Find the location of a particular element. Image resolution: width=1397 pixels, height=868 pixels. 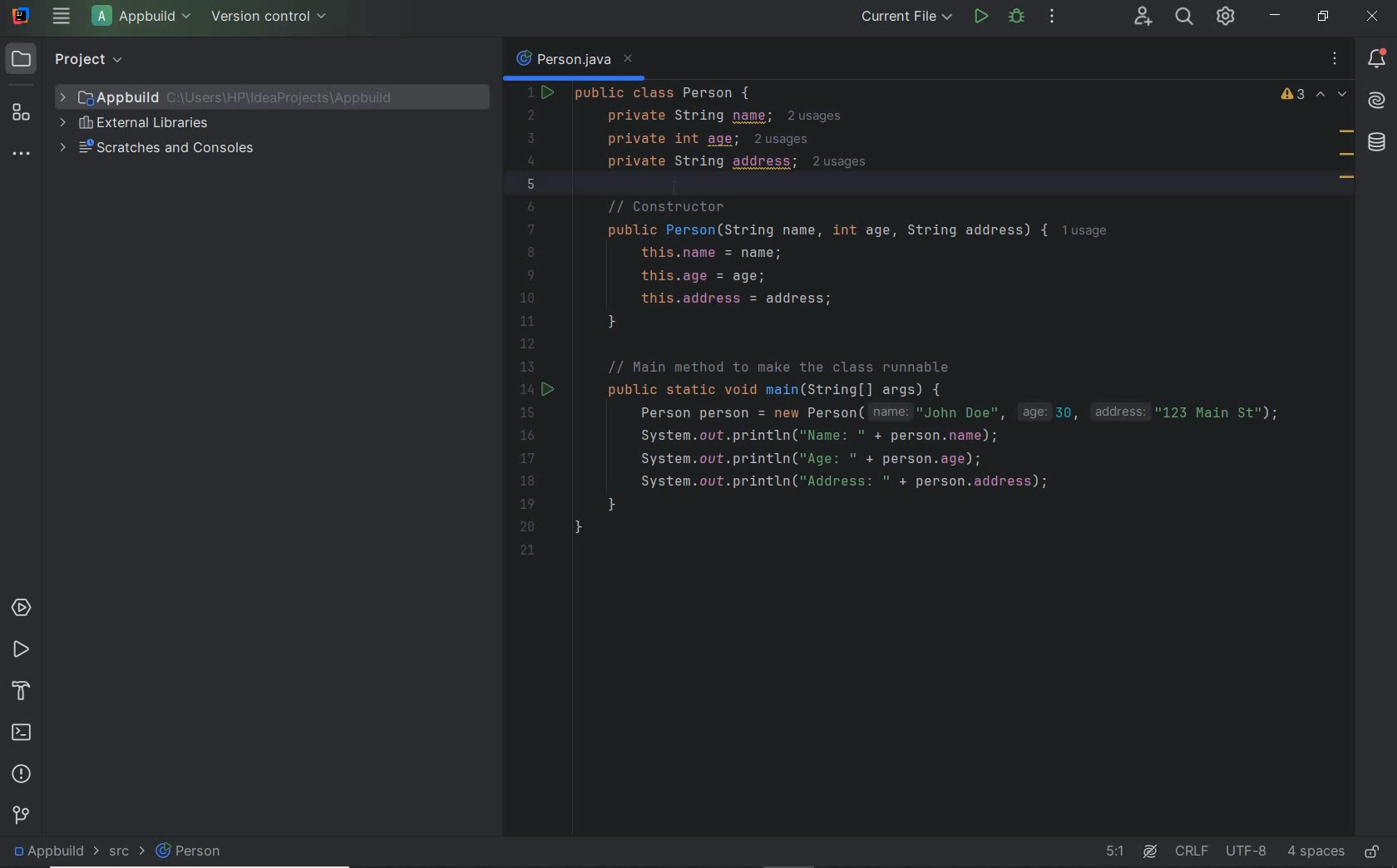

restore down is located at coordinates (1322, 16).